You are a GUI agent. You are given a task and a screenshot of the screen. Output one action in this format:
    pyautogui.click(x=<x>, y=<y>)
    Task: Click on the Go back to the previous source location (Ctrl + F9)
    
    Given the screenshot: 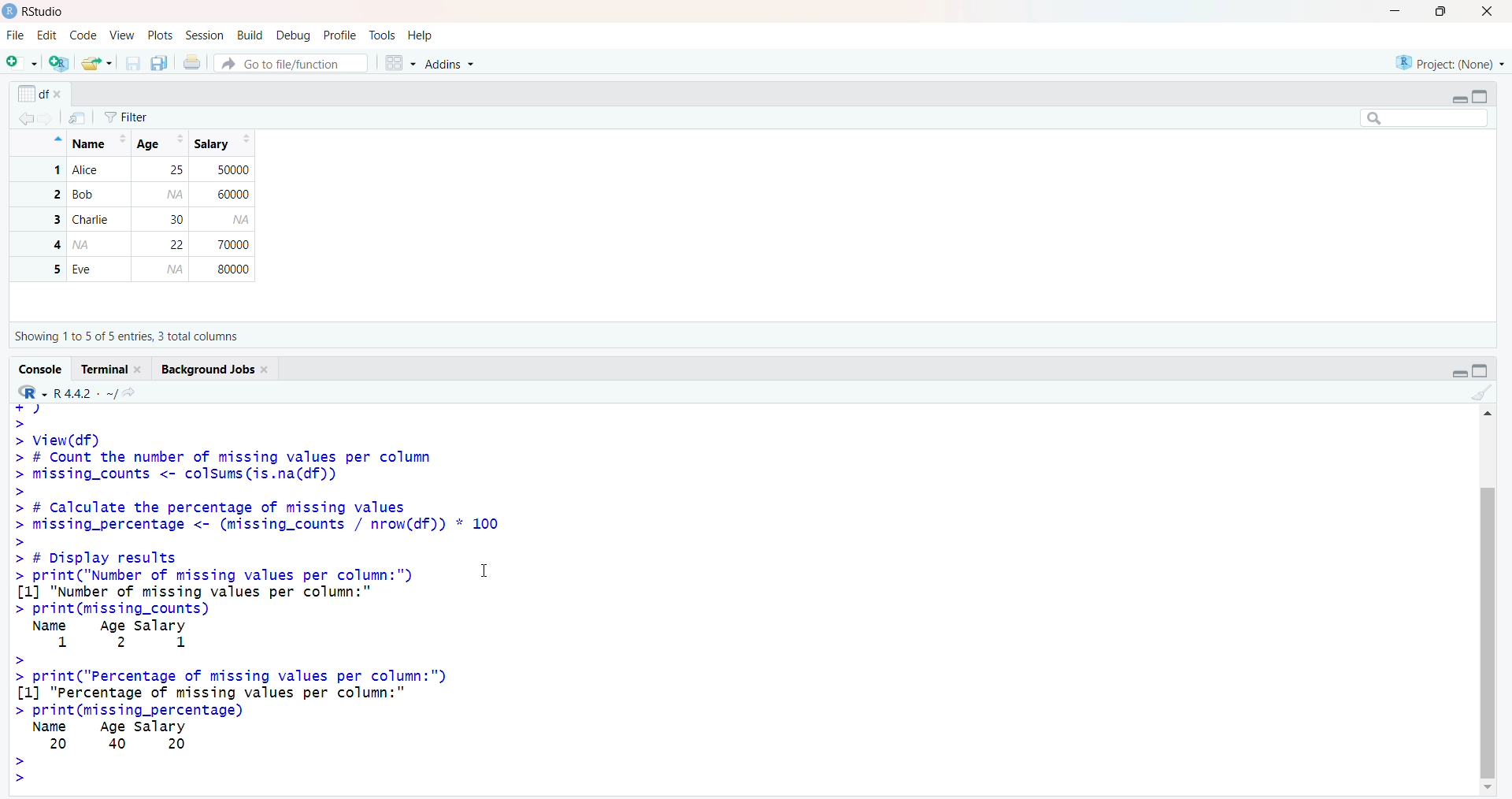 What is the action you would take?
    pyautogui.click(x=22, y=121)
    